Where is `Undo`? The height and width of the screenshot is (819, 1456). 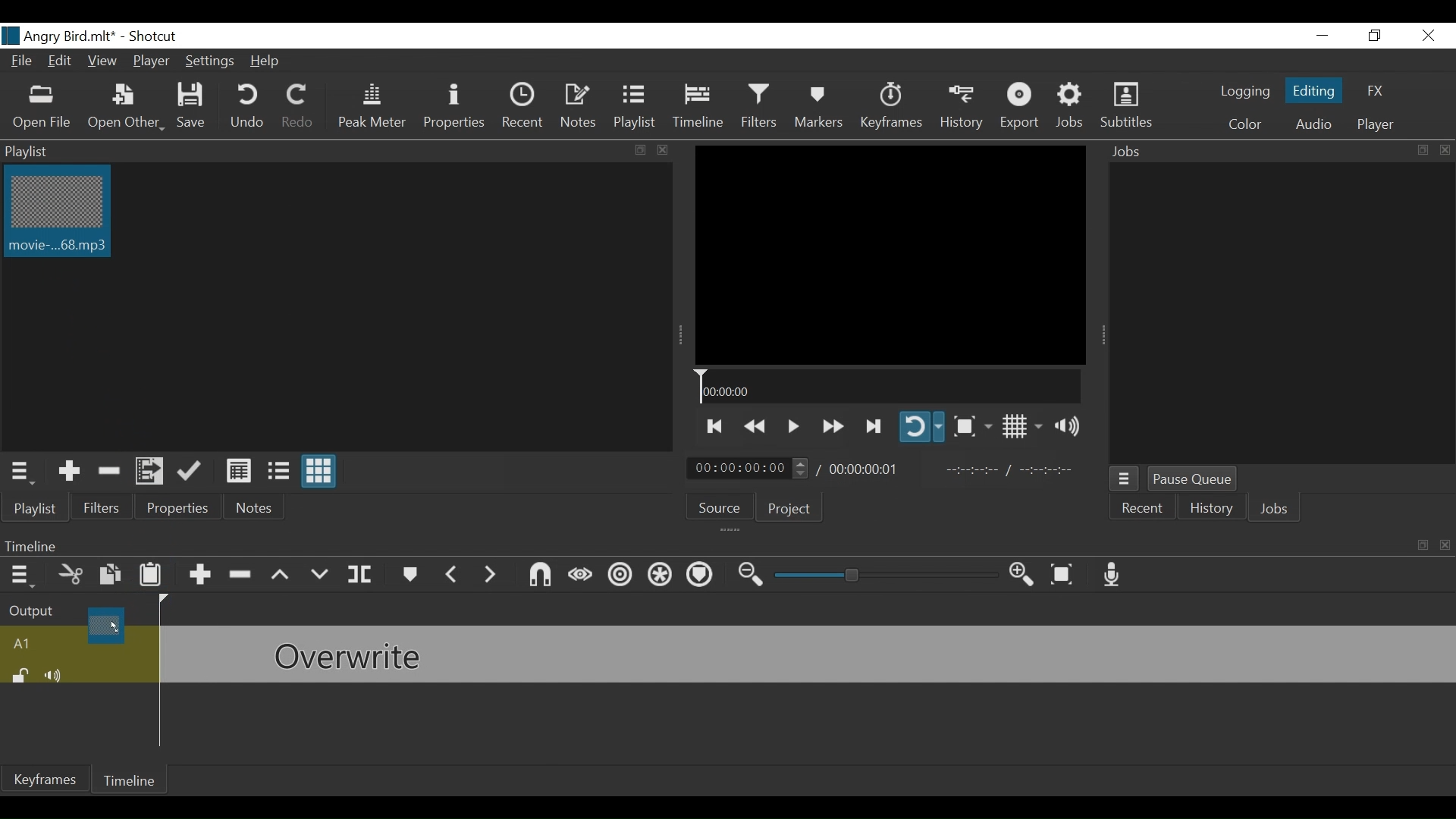 Undo is located at coordinates (247, 107).